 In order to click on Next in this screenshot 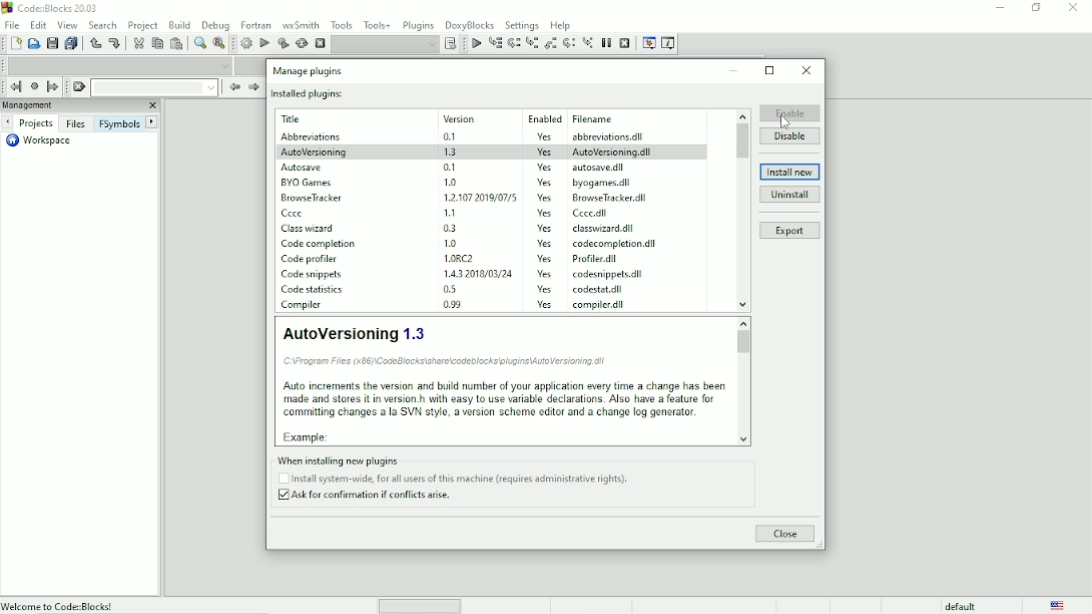, I will do `click(253, 88)`.